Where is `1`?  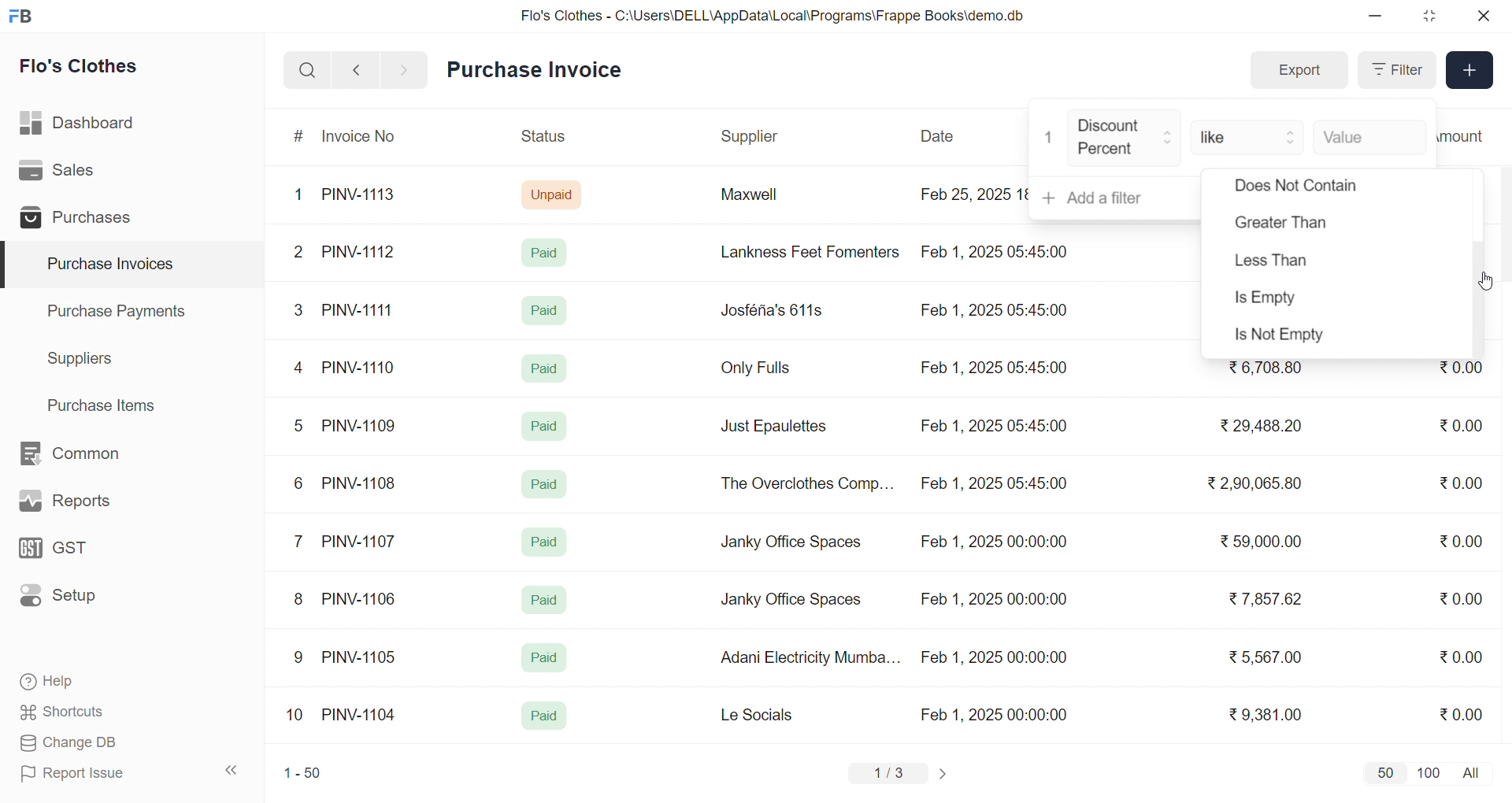
1 is located at coordinates (302, 195).